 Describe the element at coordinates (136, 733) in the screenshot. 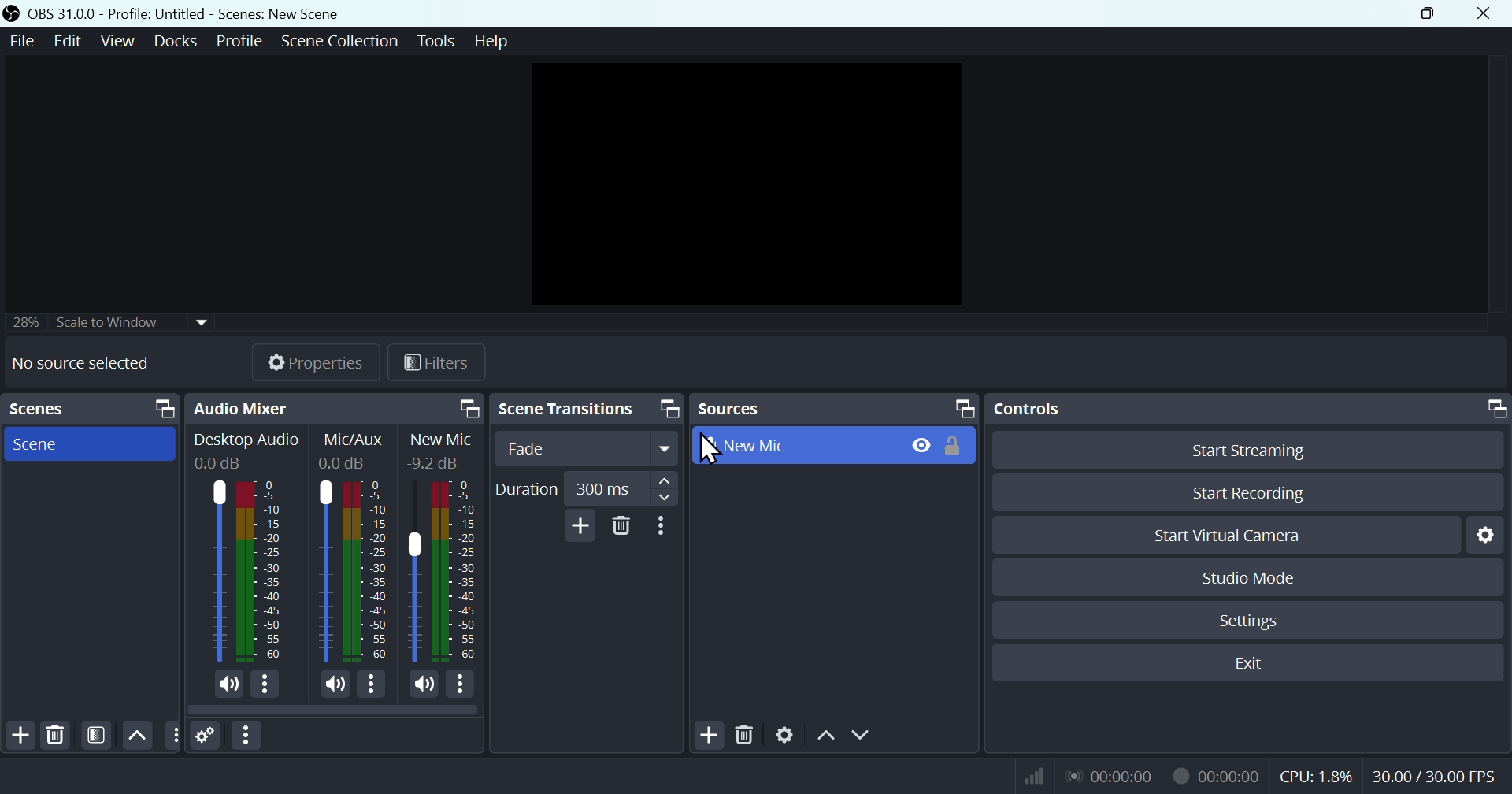

I see `up` at that location.